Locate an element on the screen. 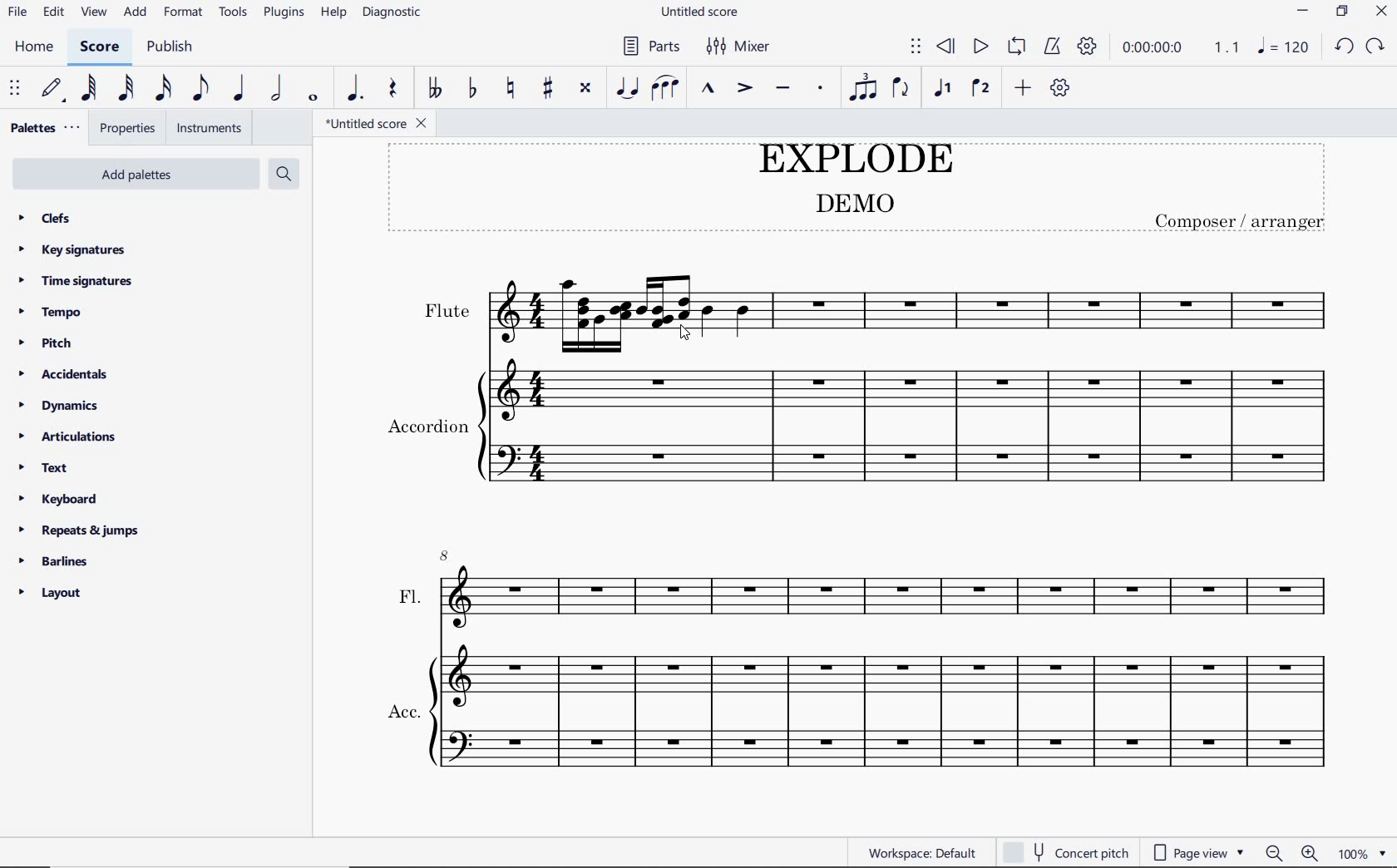 The image size is (1397, 868). file name is located at coordinates (700, 13).